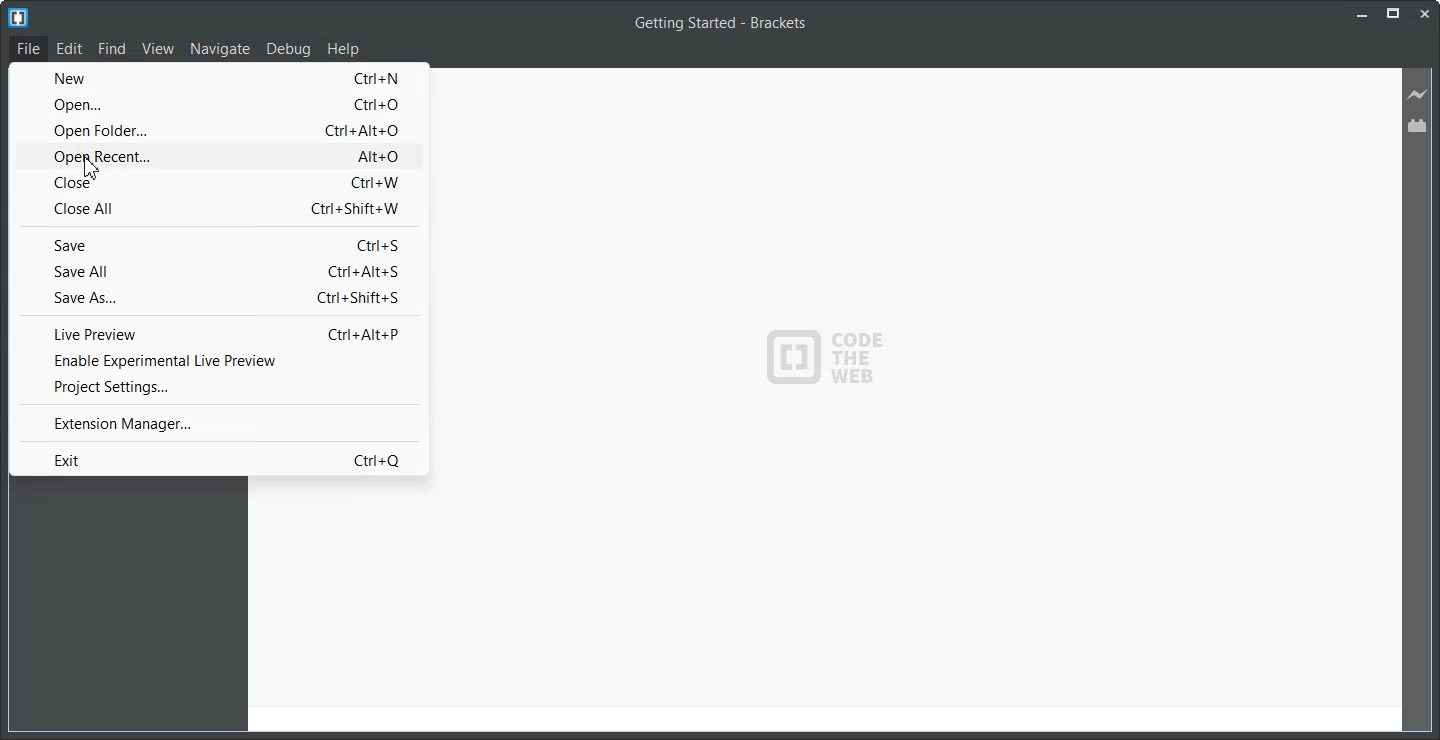 The height and width of the screenshot is (740, 1440). I want to click on Save, so click(218, 244).